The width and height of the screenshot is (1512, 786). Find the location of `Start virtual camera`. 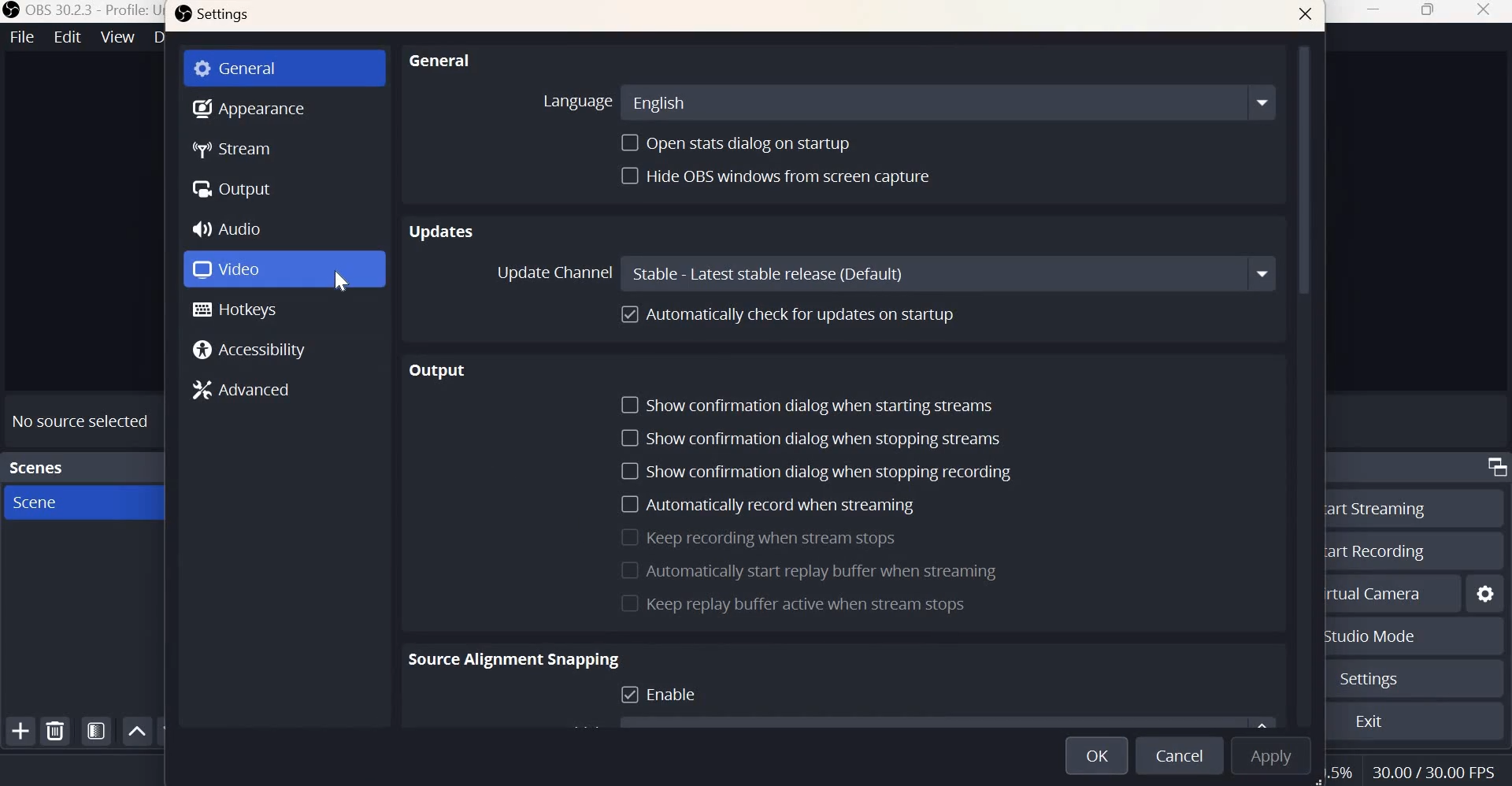

Start virtual camera is located at coordinates (1379, 591).